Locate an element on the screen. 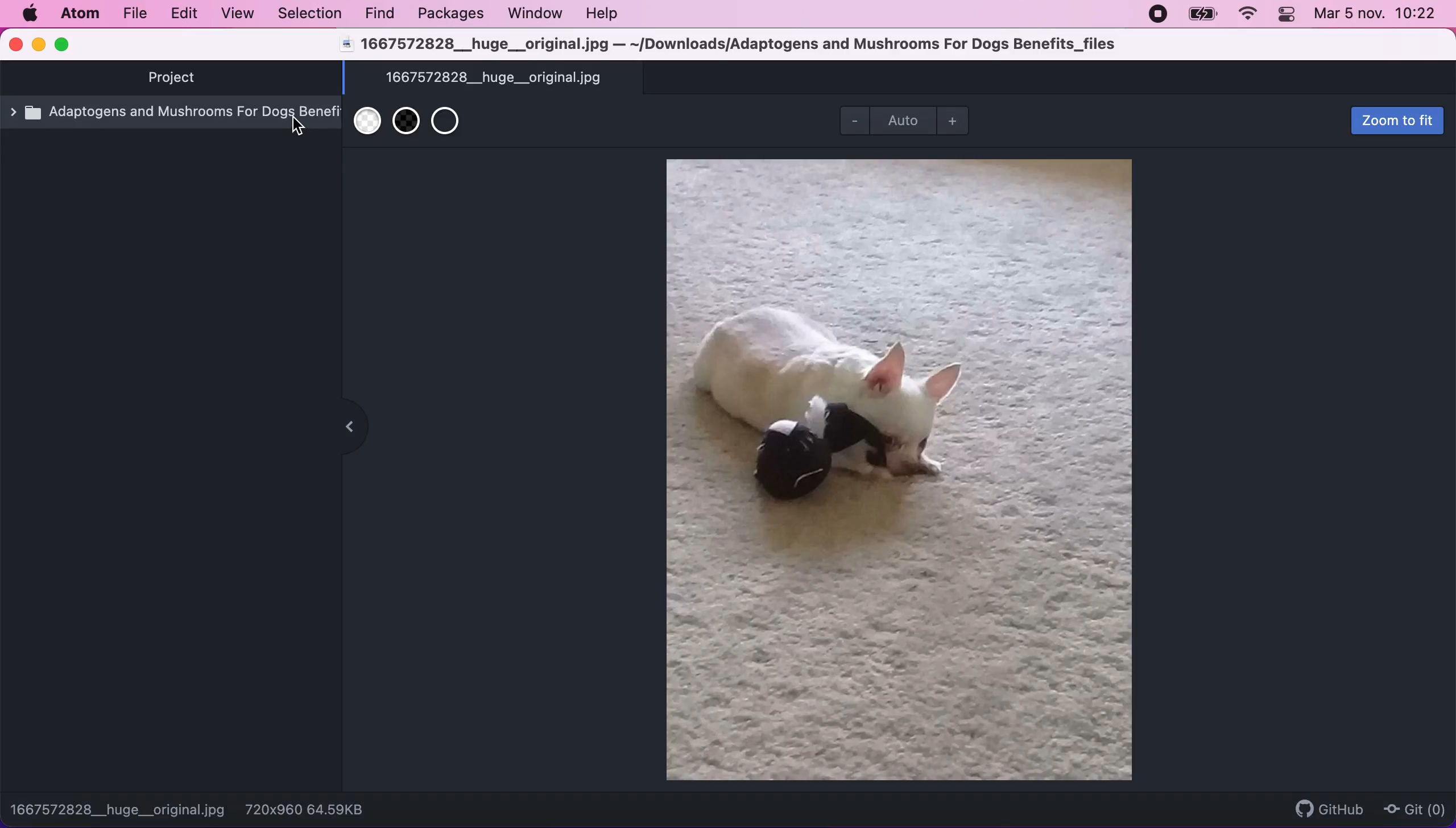 The width and height of the screenshot is (1456, 828). mac logo is located at coordinates (29, 13).